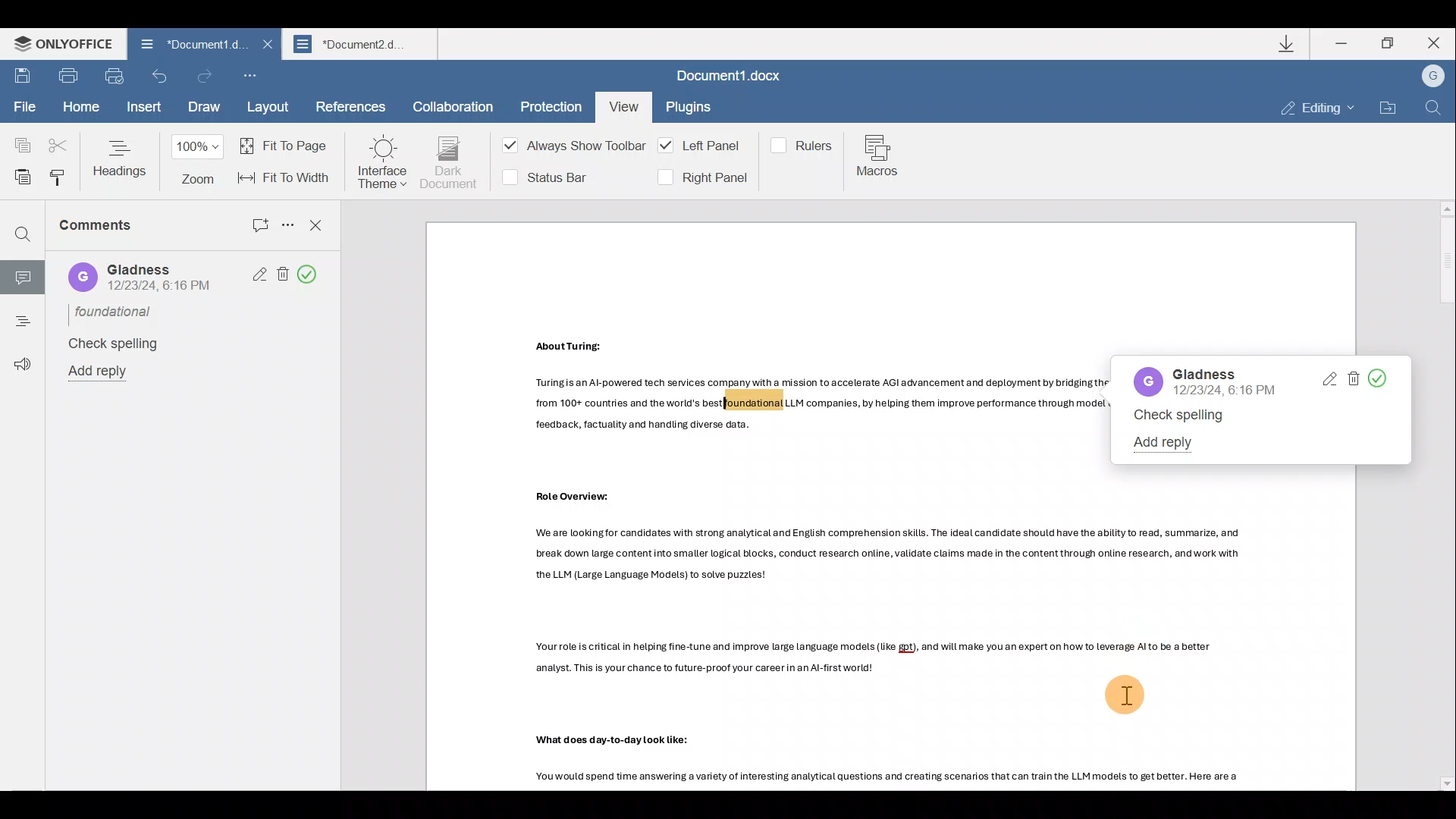  What do you see at coordinates (18, 174) in the screenshot?
I see `Paste` at bounding box center [18, 174].